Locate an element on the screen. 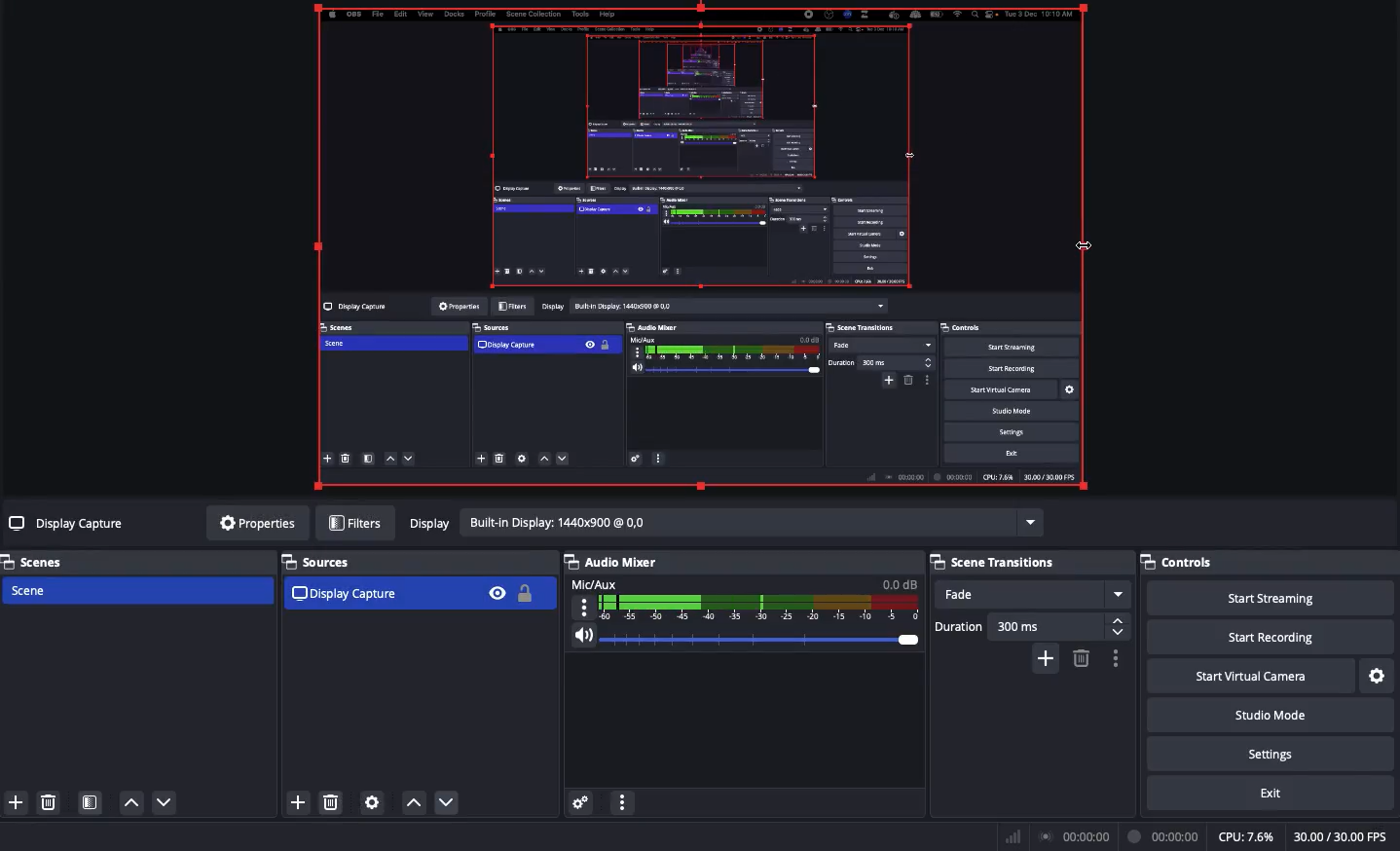 The height and width of the screenshot is (851, 1400). Add is located at coordinates (1048, 661).